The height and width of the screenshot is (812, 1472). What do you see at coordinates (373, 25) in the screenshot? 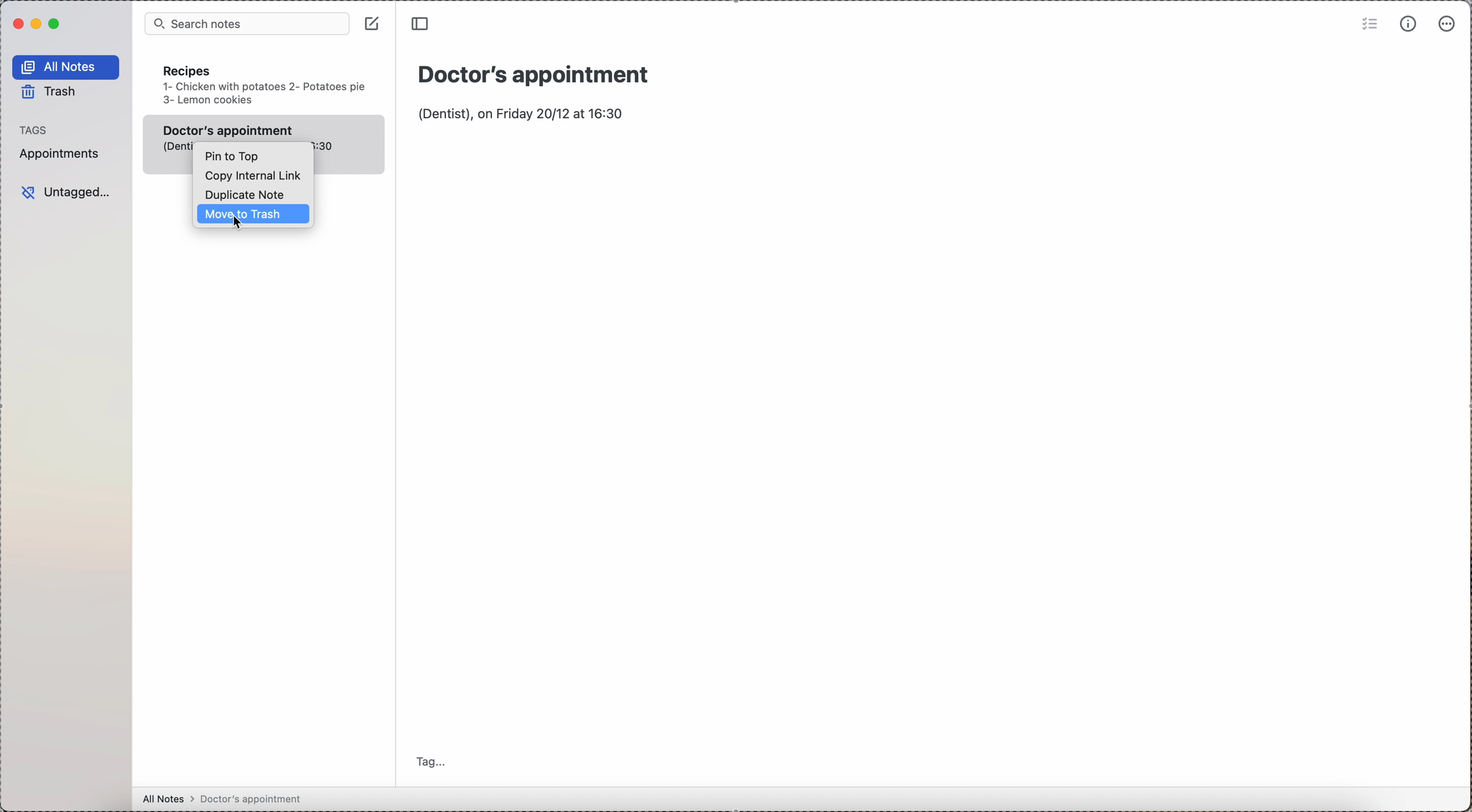
I see `create note` at bounding box center [373, 25].